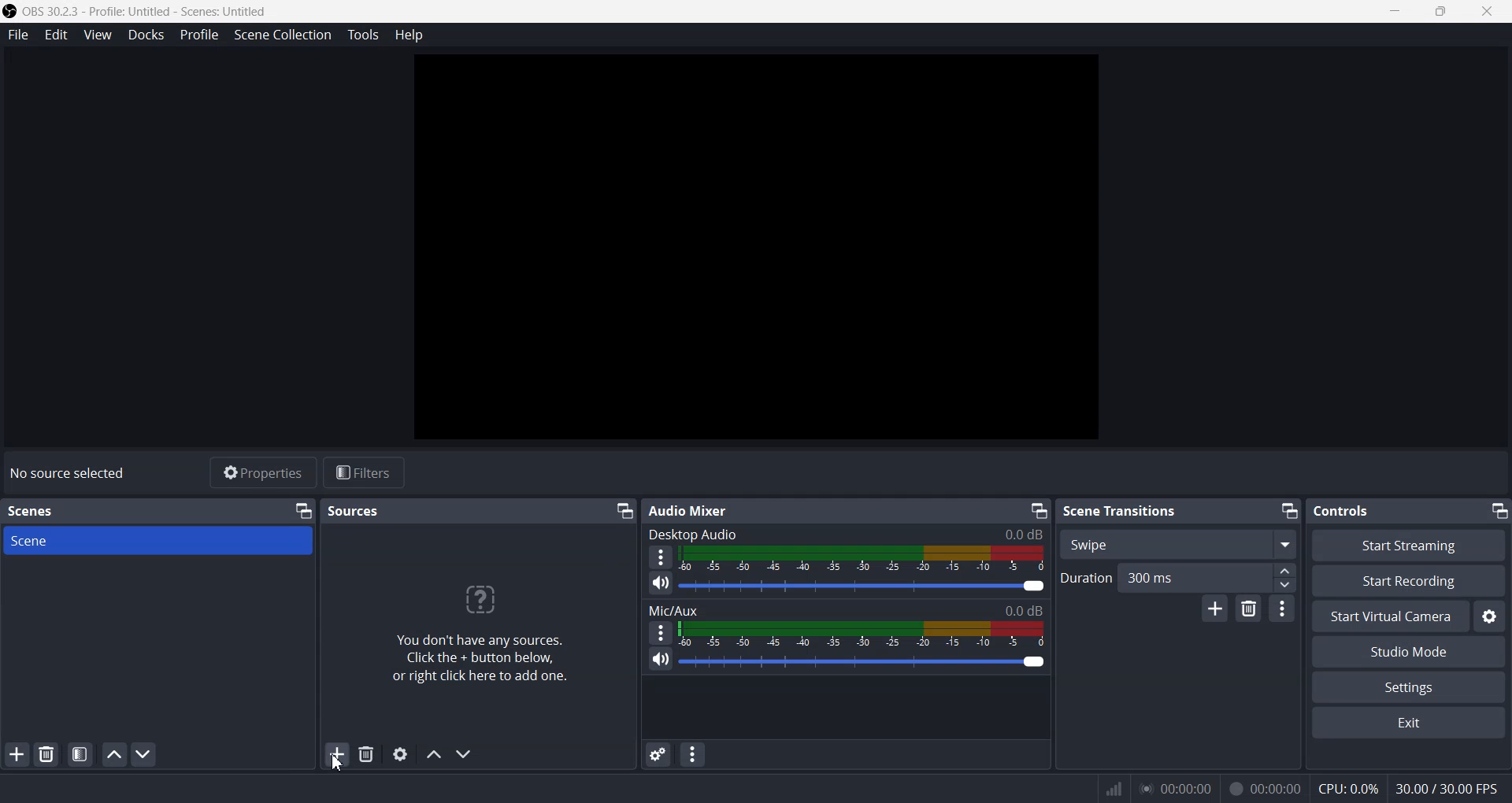 The width and height of the screenshot is (1512, 803). I want to click on Text, so click(67, 472).